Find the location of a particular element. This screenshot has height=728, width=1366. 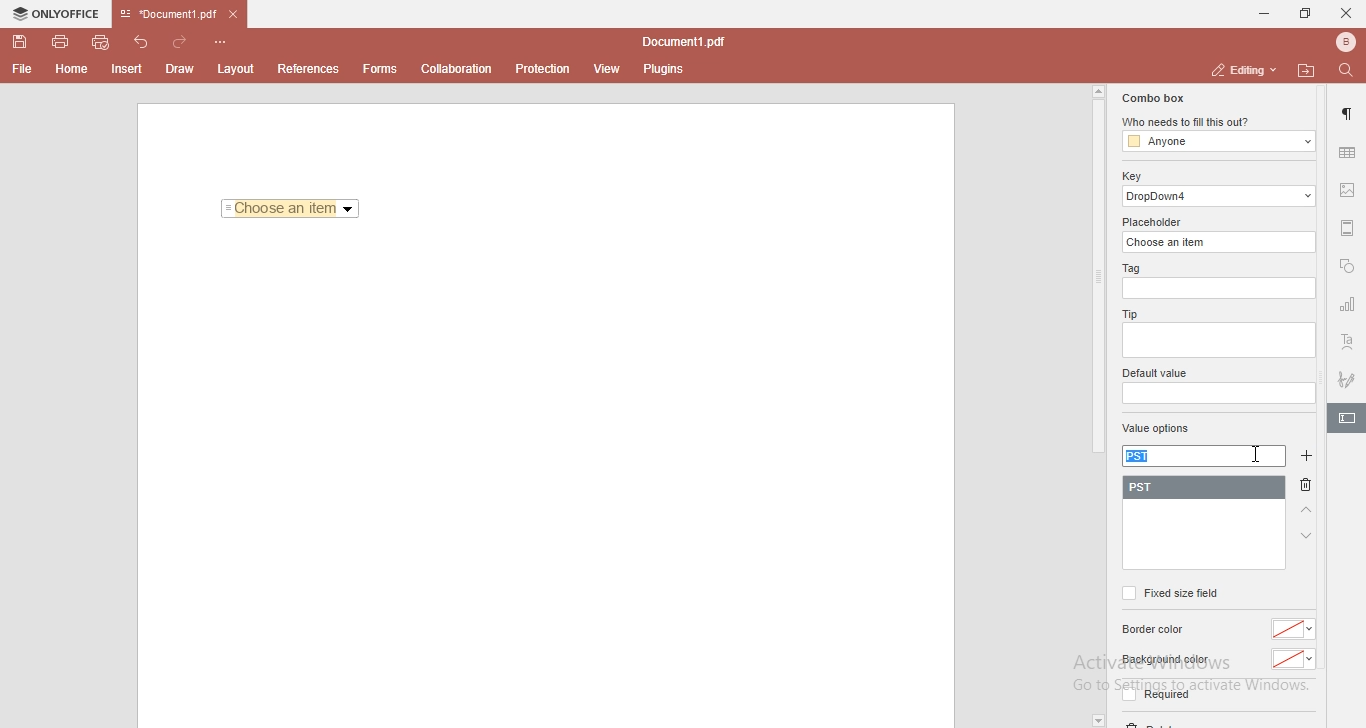

layout is located at coordinates (239, 69).